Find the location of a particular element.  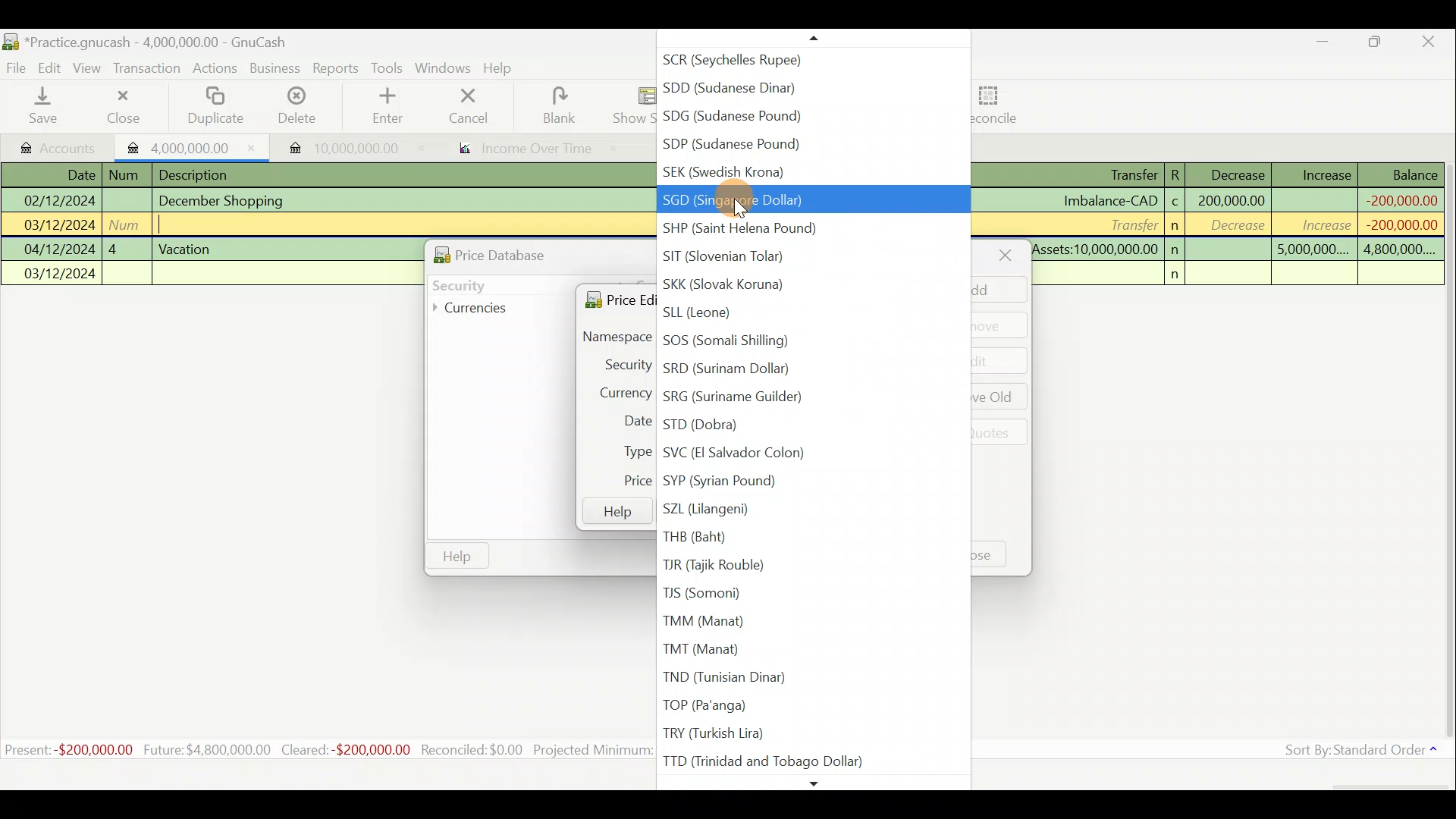

Actions is located at coordinates (217, 69).